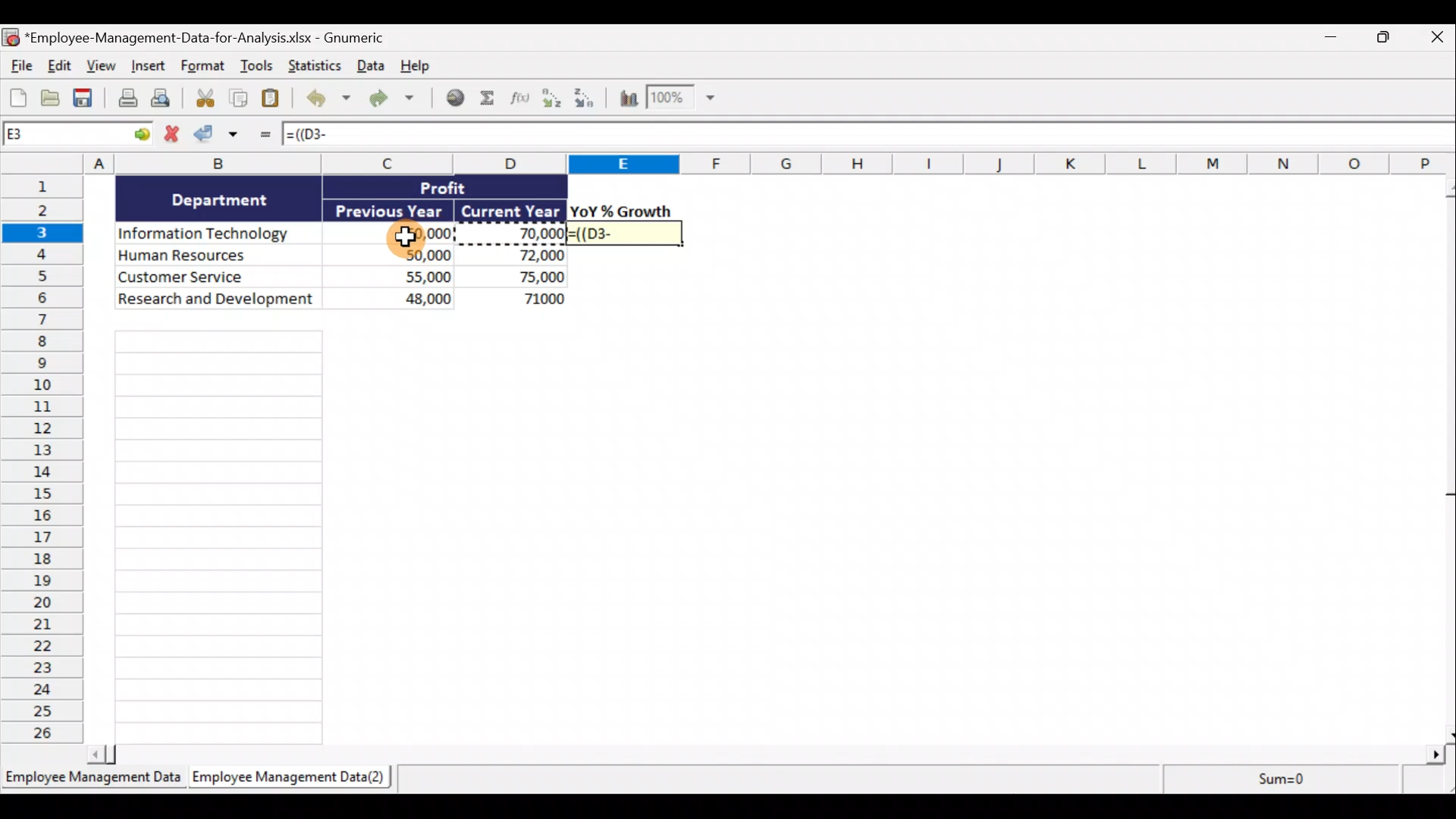 The height and width of the screenshot is (819, 1456). What do you see at coordinates (208, 36) in the screenshot?
I see `Document name` at bounding box center [208, 36].